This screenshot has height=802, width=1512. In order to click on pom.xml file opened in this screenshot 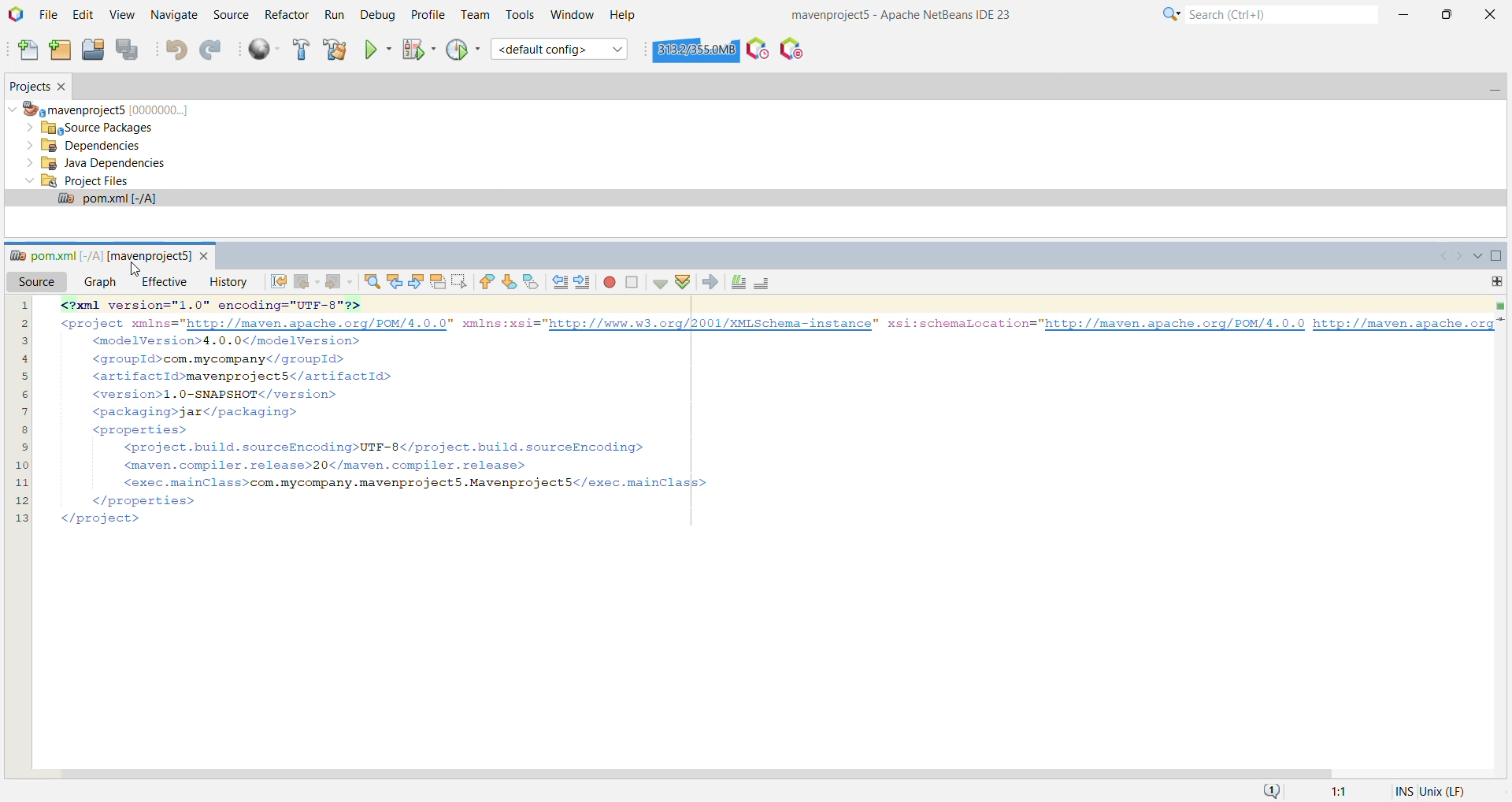, I will do `click(754, 199)`.